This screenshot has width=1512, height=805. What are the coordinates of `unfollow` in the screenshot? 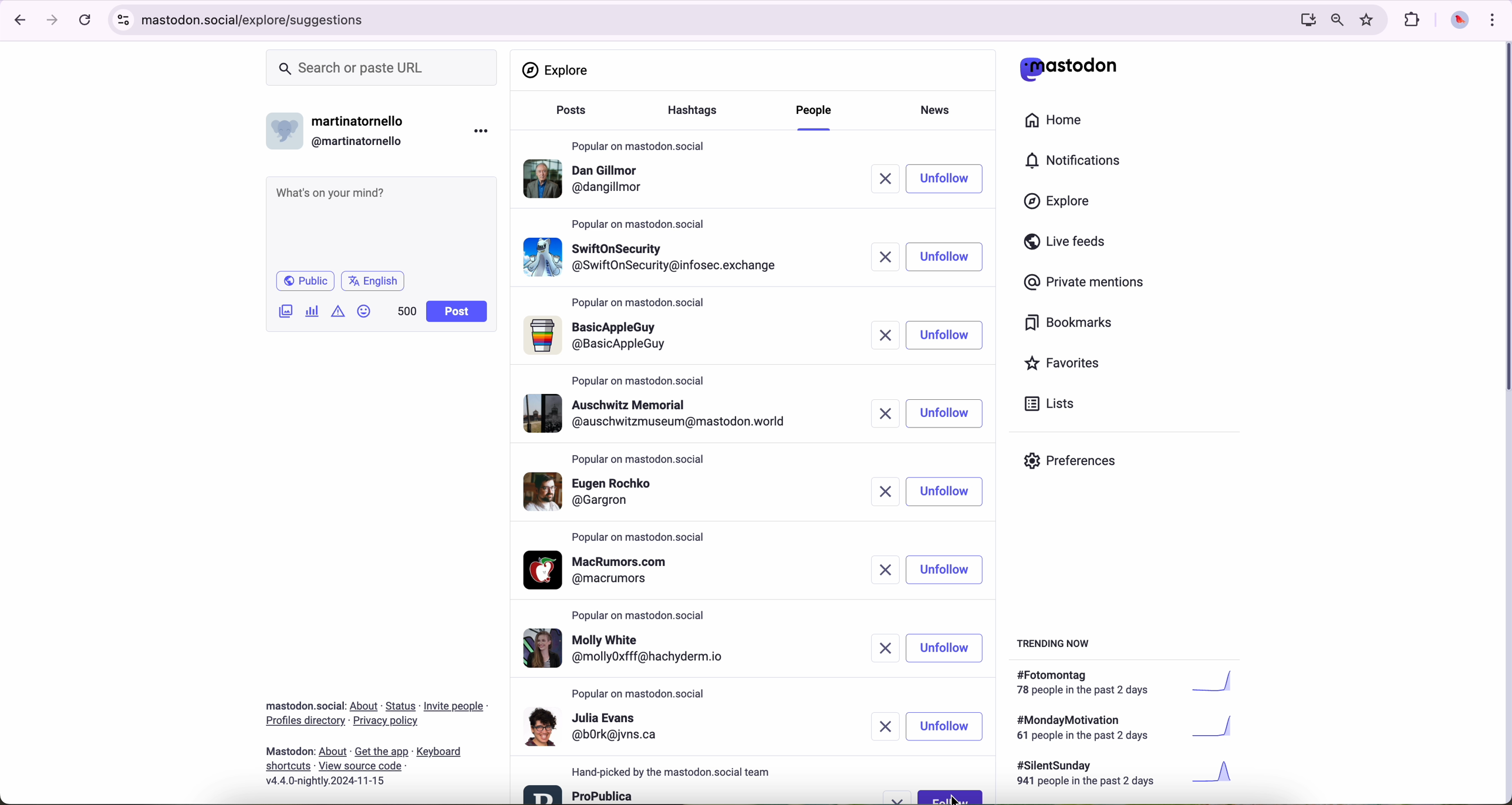 It's located at (947, 492).